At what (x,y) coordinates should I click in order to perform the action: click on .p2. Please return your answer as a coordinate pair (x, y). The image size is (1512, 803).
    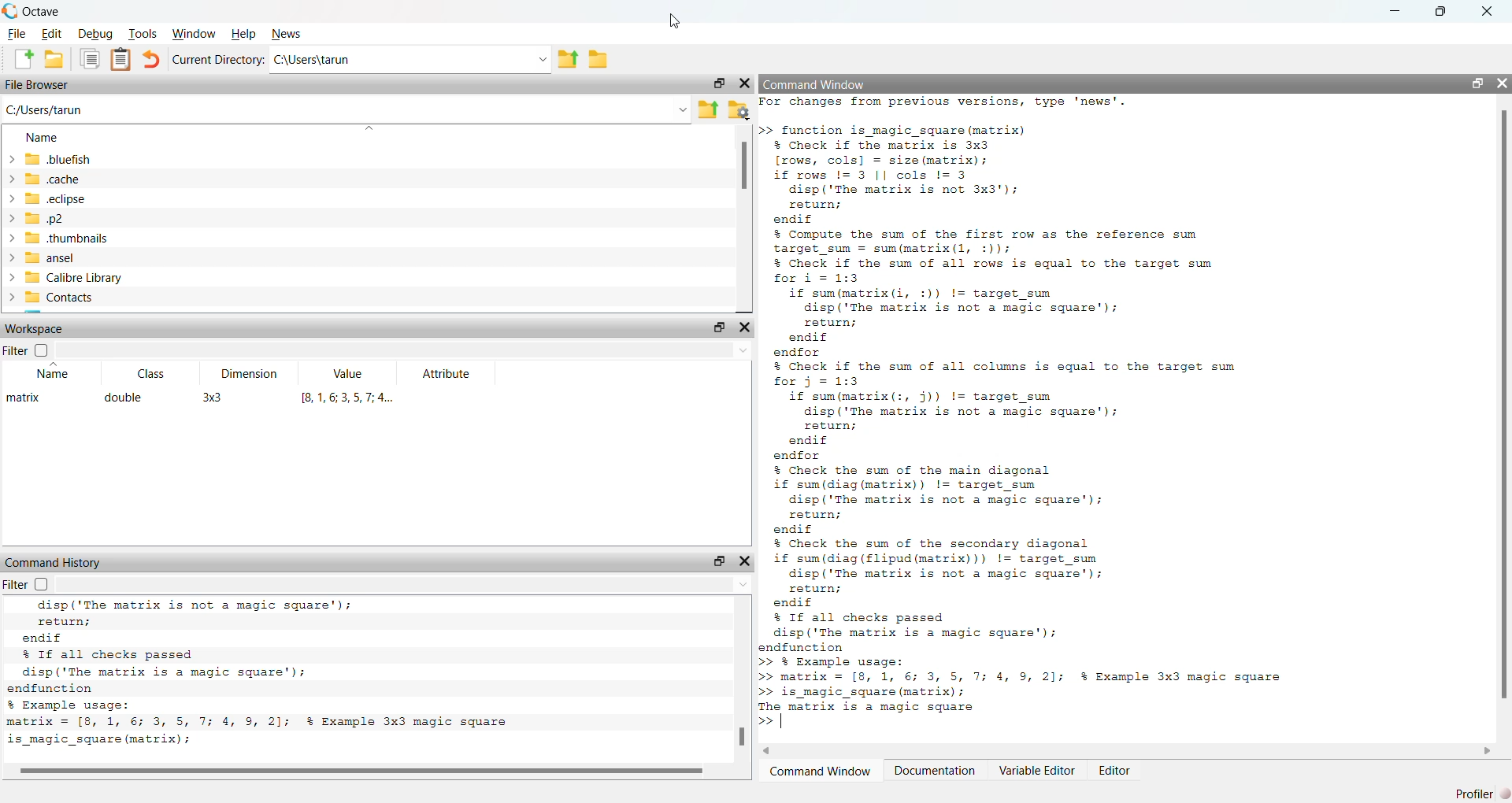
    Looking at the image, I should click on (35, 219).